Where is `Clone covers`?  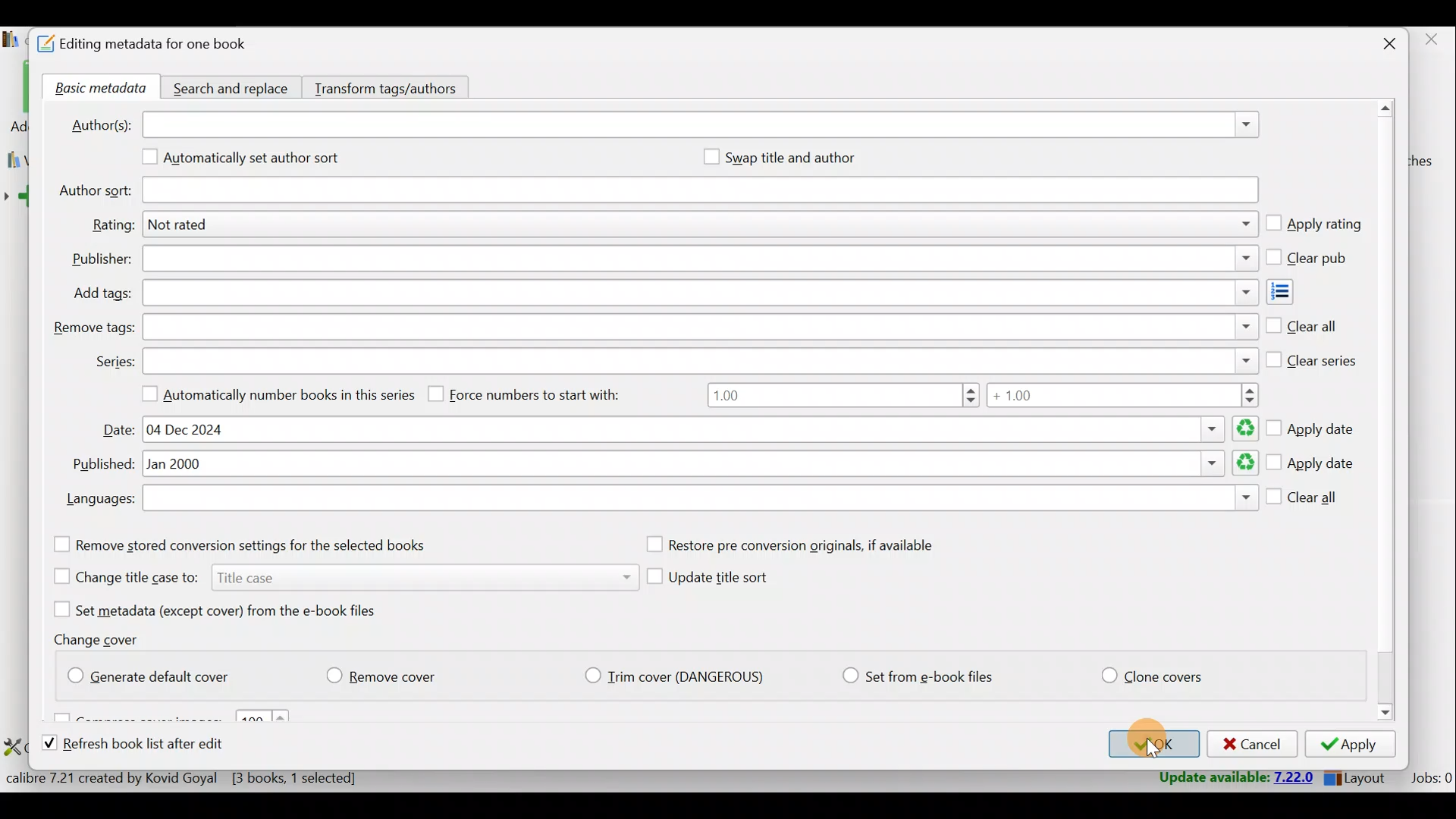 Clone covers is located at coordinates (1149, 673).